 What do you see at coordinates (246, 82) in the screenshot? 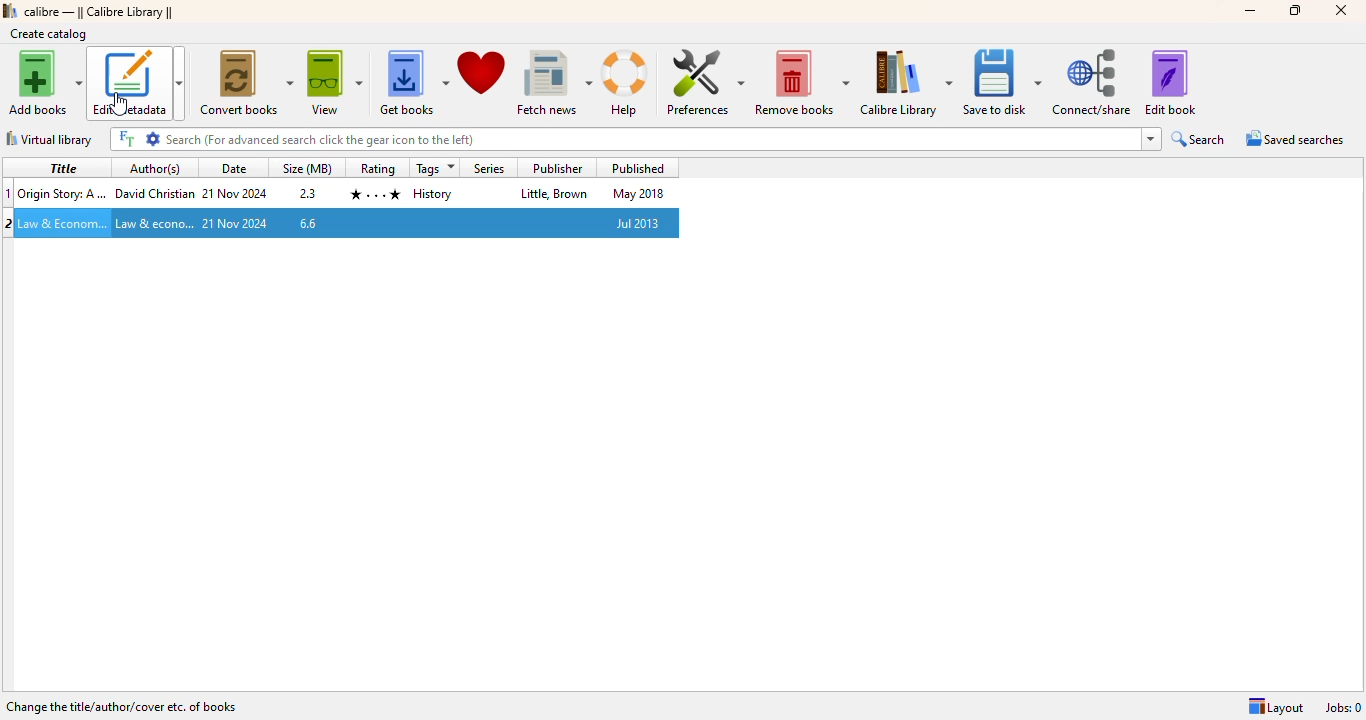
I see `convert books` at bounding box center [246, 82].